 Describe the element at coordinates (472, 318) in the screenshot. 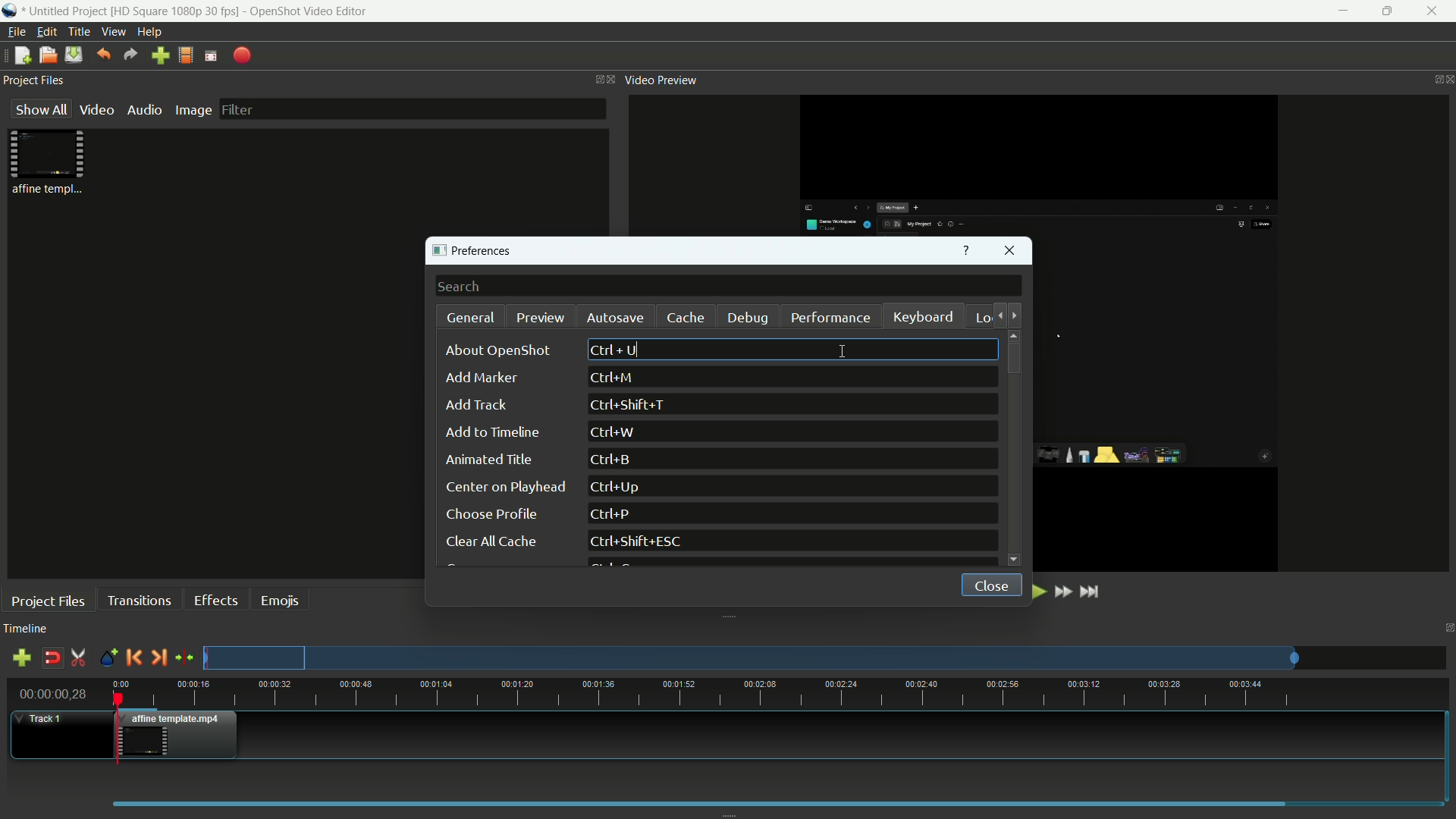

I see `general` at that location.